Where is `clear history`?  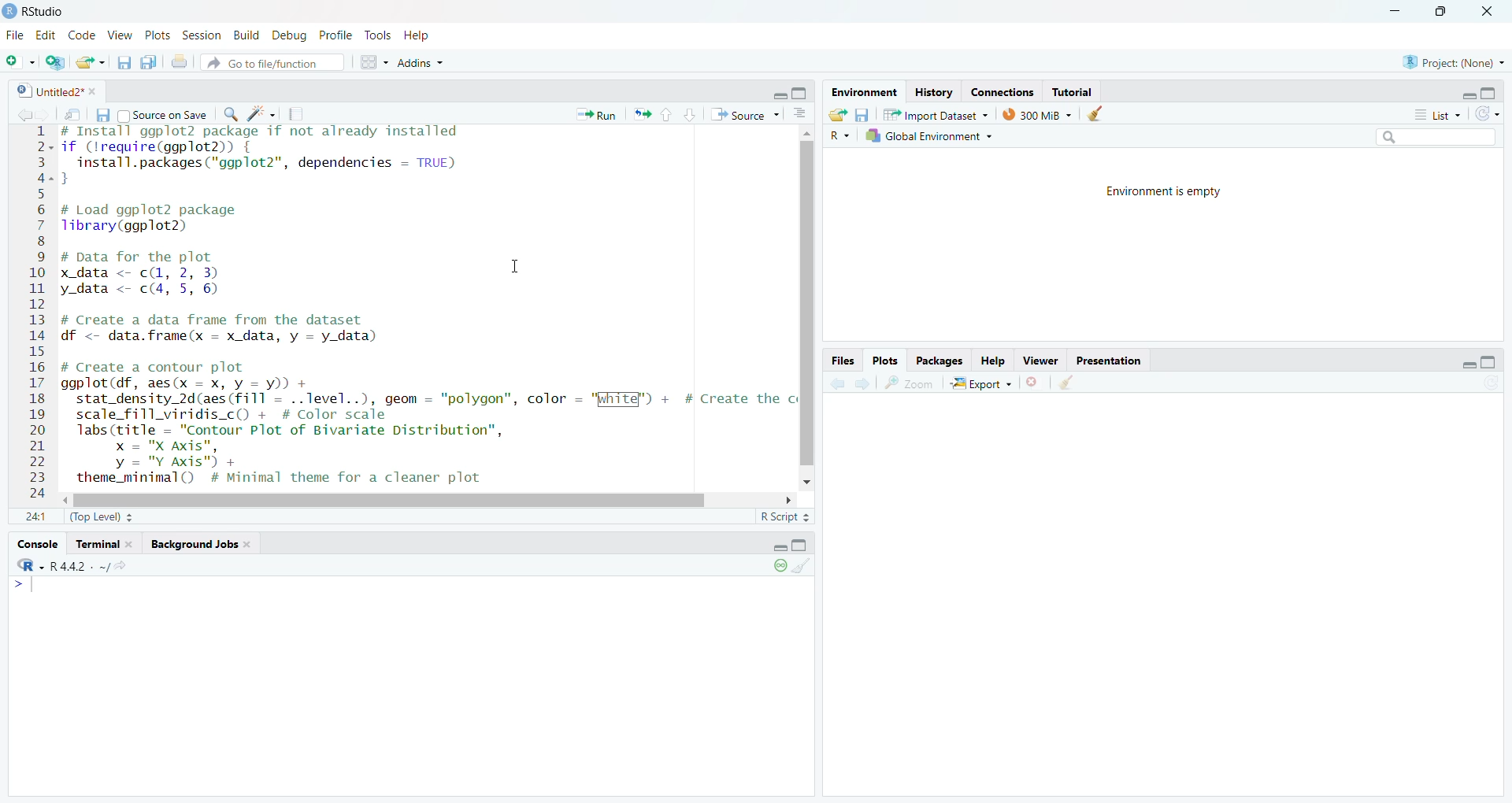 clear history is located at coordinates (1102, 113).